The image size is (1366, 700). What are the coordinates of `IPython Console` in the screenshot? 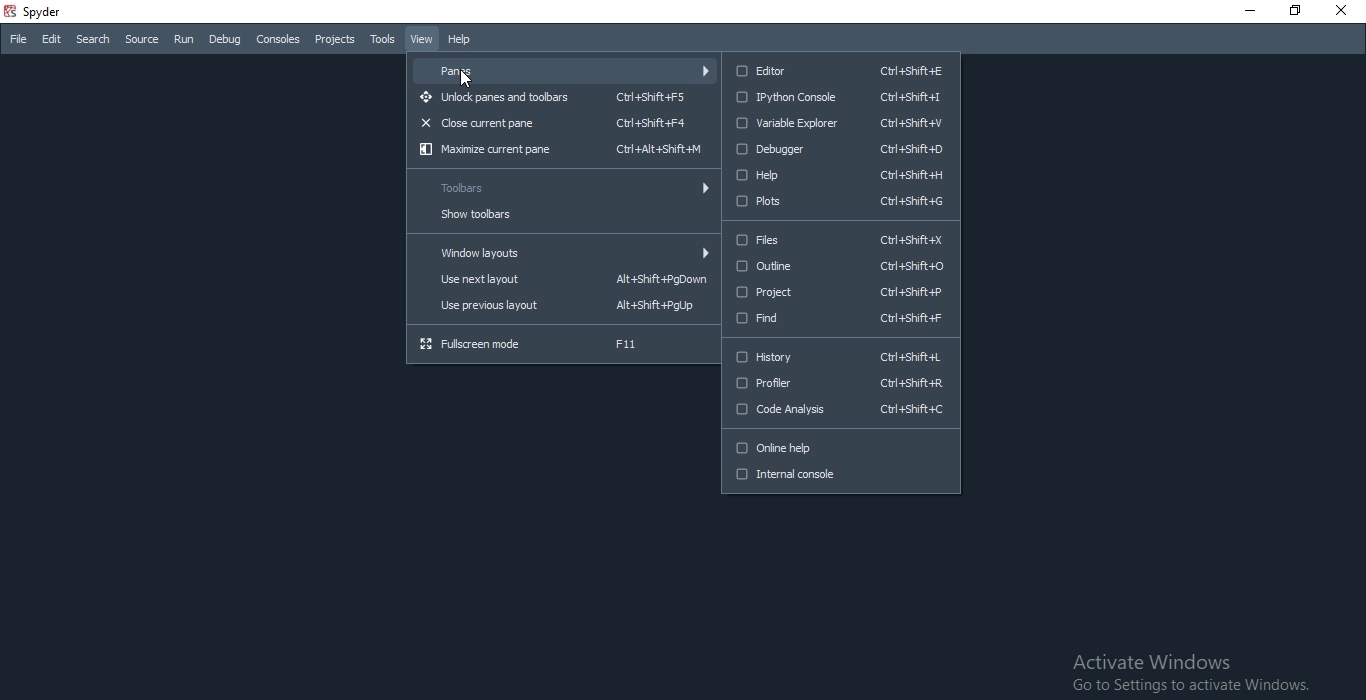 It's located at (841, 96).